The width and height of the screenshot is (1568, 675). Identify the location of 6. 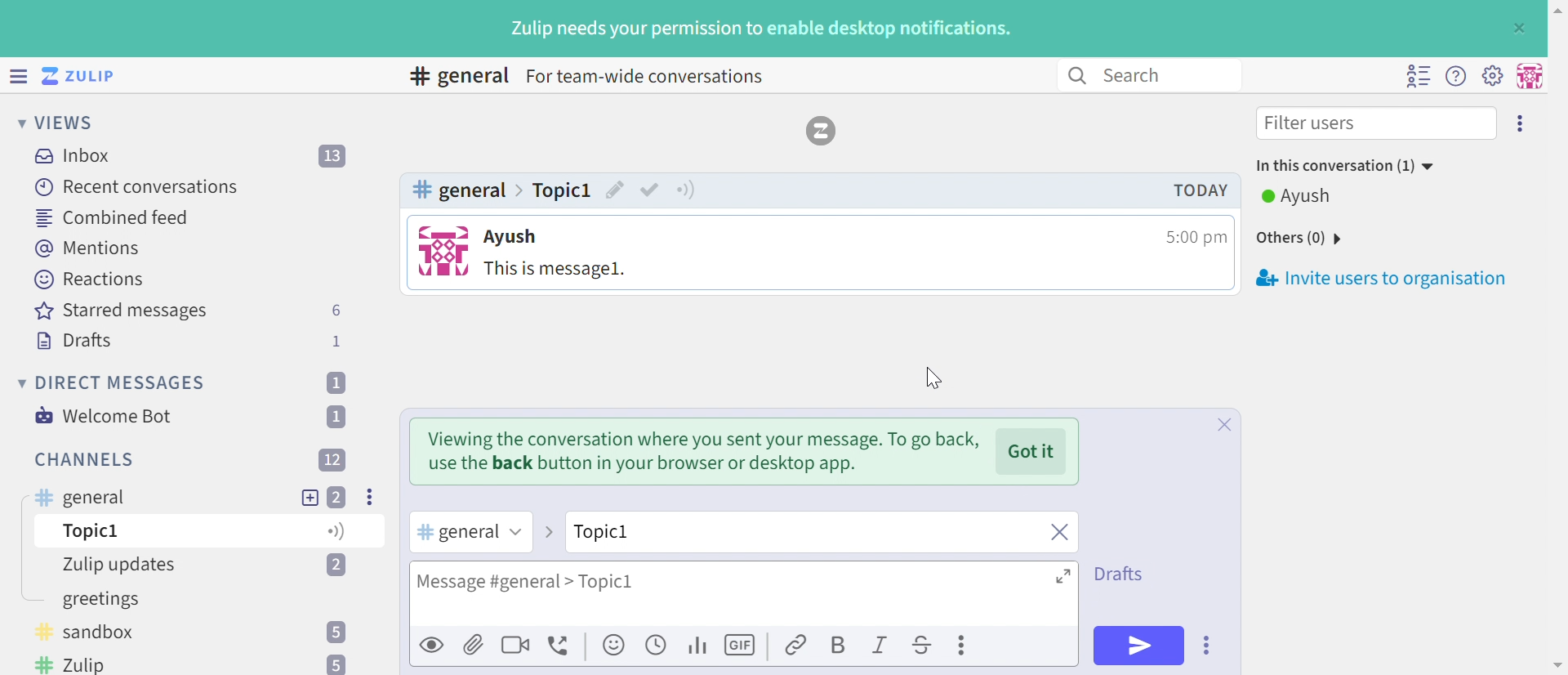
(336, 311).